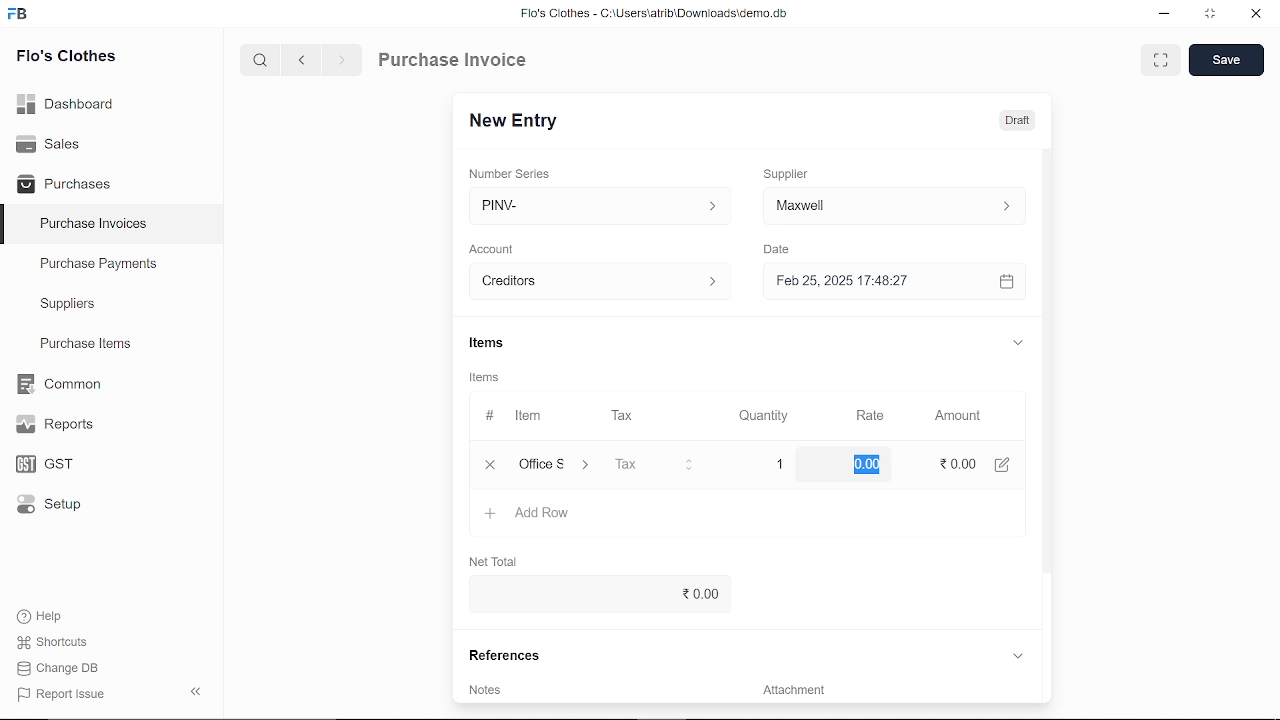 The width and height of the screenshot is (1280, 720). I want to click on Net Total, so click(500, 560).